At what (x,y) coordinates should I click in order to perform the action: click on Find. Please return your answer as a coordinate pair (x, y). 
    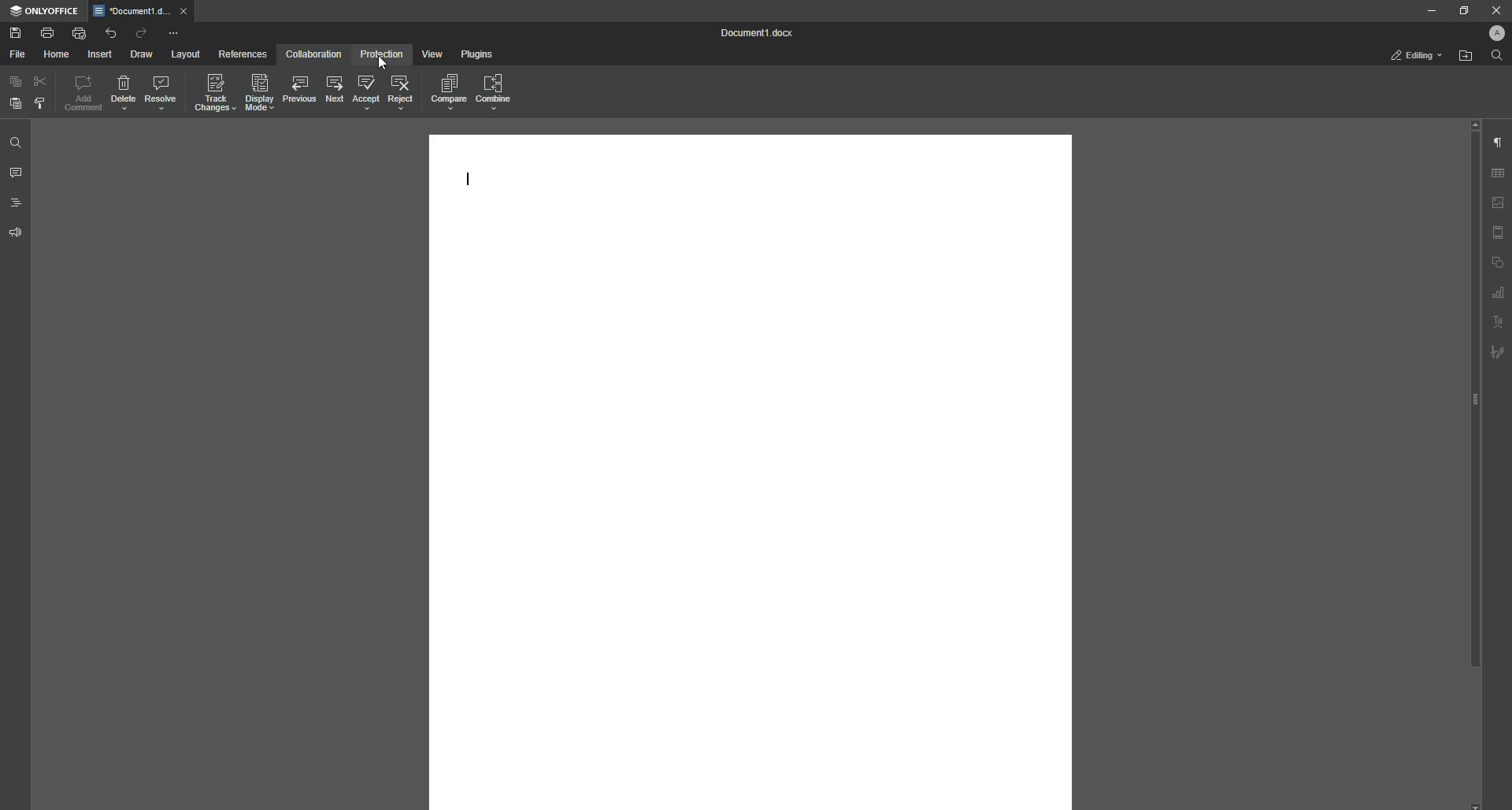
    Looking at the image, I should click on (14, 143).